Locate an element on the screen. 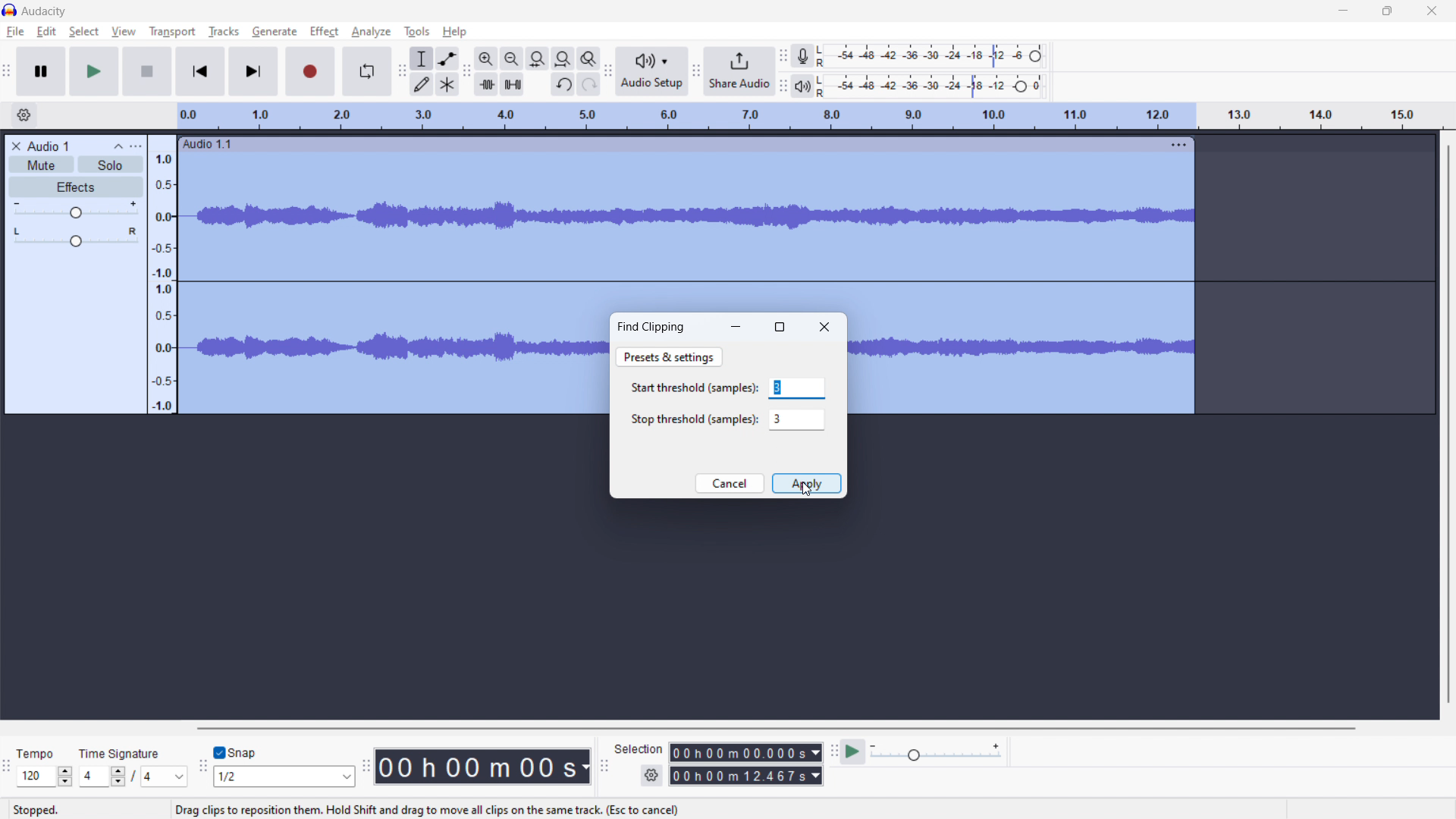 The width and height of the screenshot is (1456, 819). help is located at coordinates (456, 33).